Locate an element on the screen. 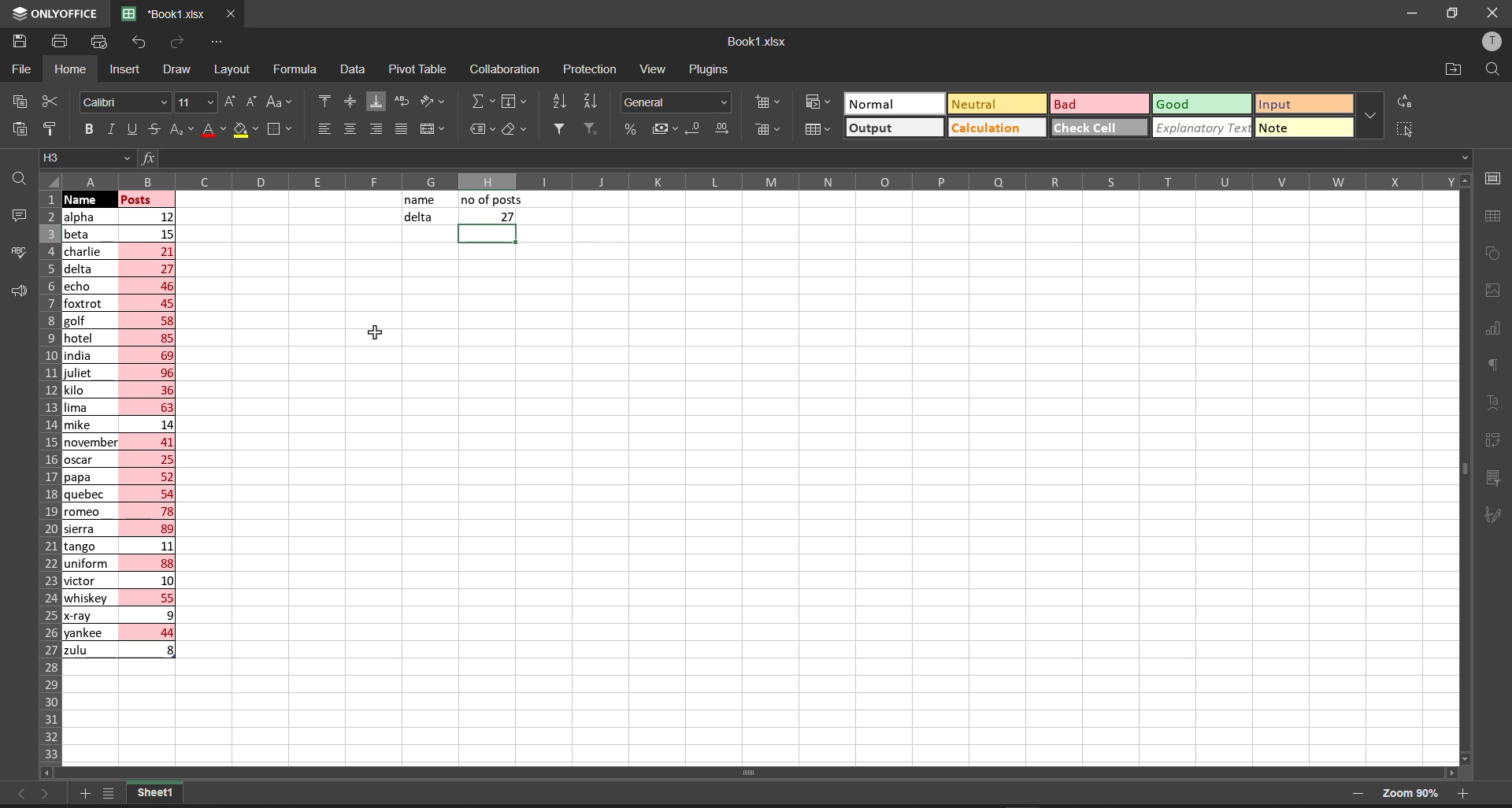 The image size is (1512, 808). open file location is located at coordinates (1455, 68).